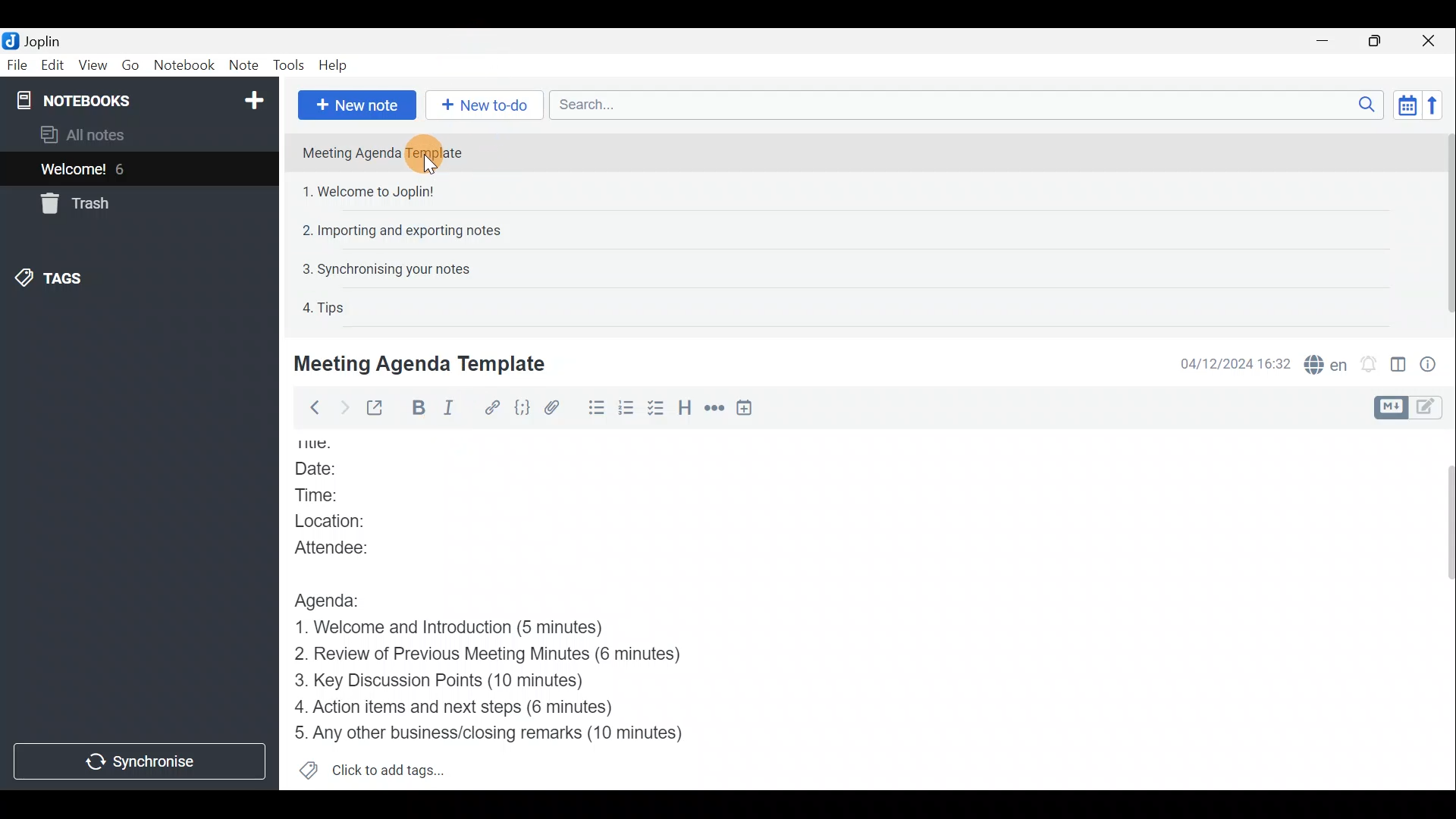 This screenshot has width=1456, height=819. What do you see at coordinates (72, 203) in the screenshot?
I see `Trash` at bounding box center [72, 203].